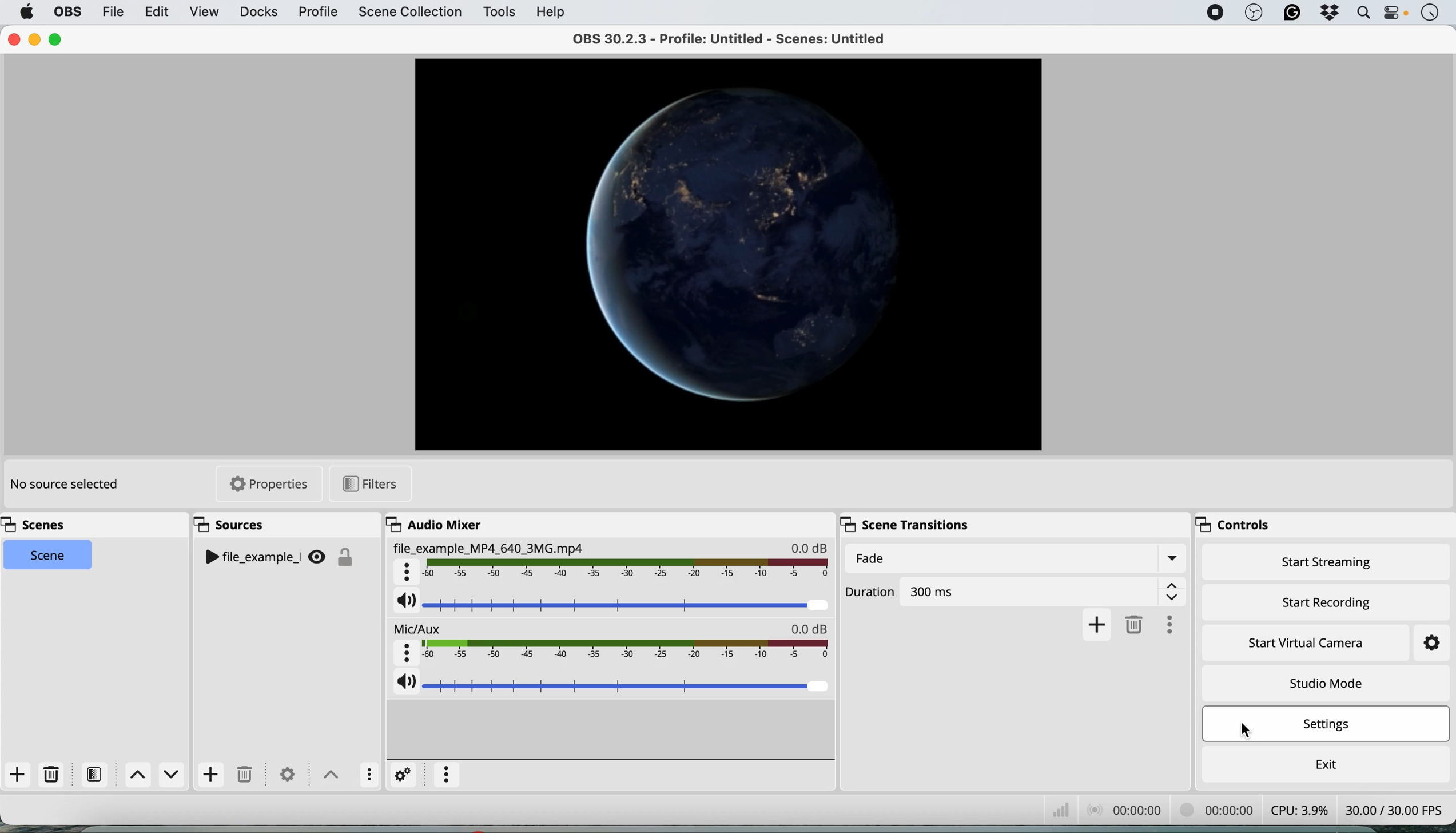  Describe the element at coordinates (404, 774) in the screenshot. I see `settings` at that location.